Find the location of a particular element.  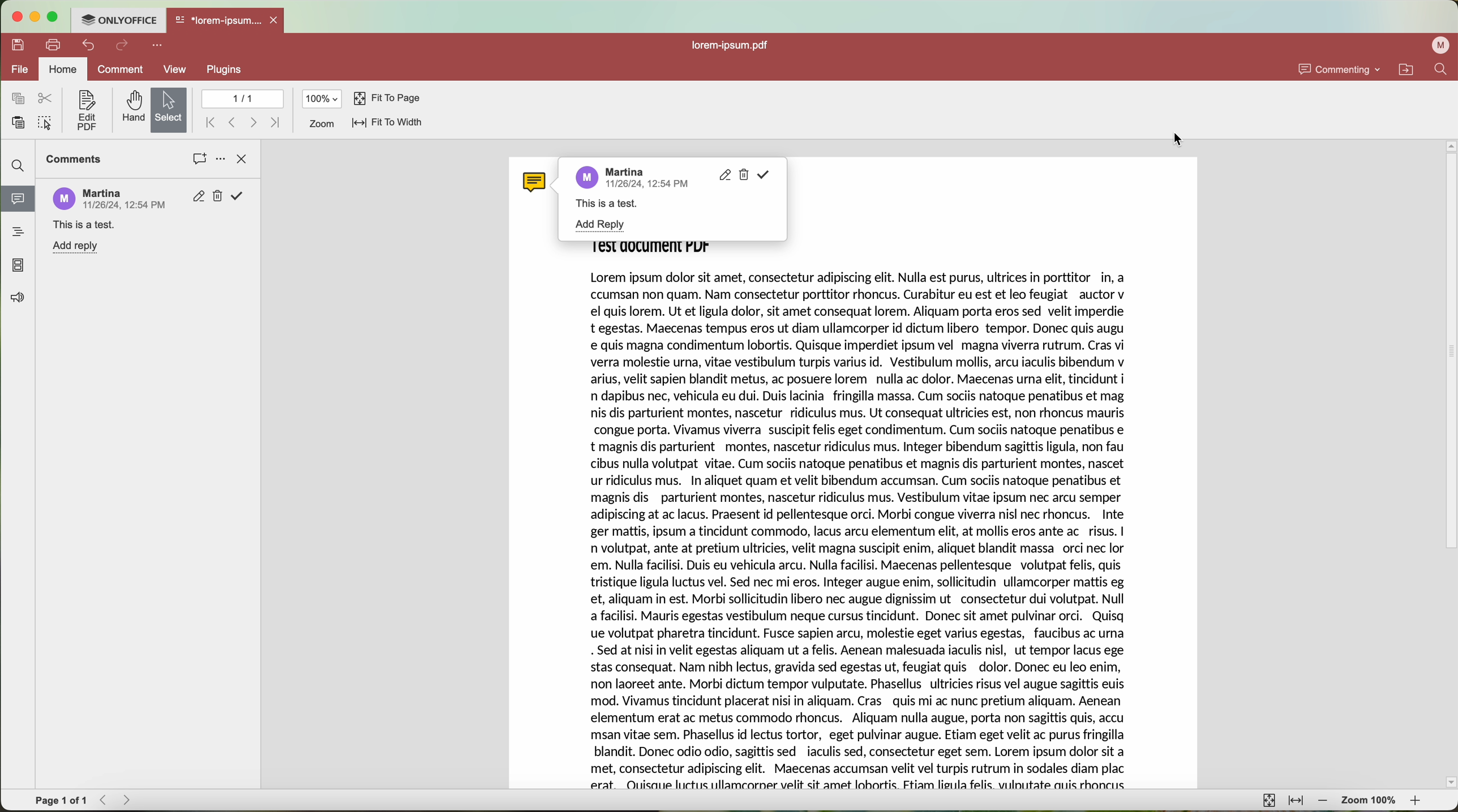

edit comment is located at coordinates (723, 177).